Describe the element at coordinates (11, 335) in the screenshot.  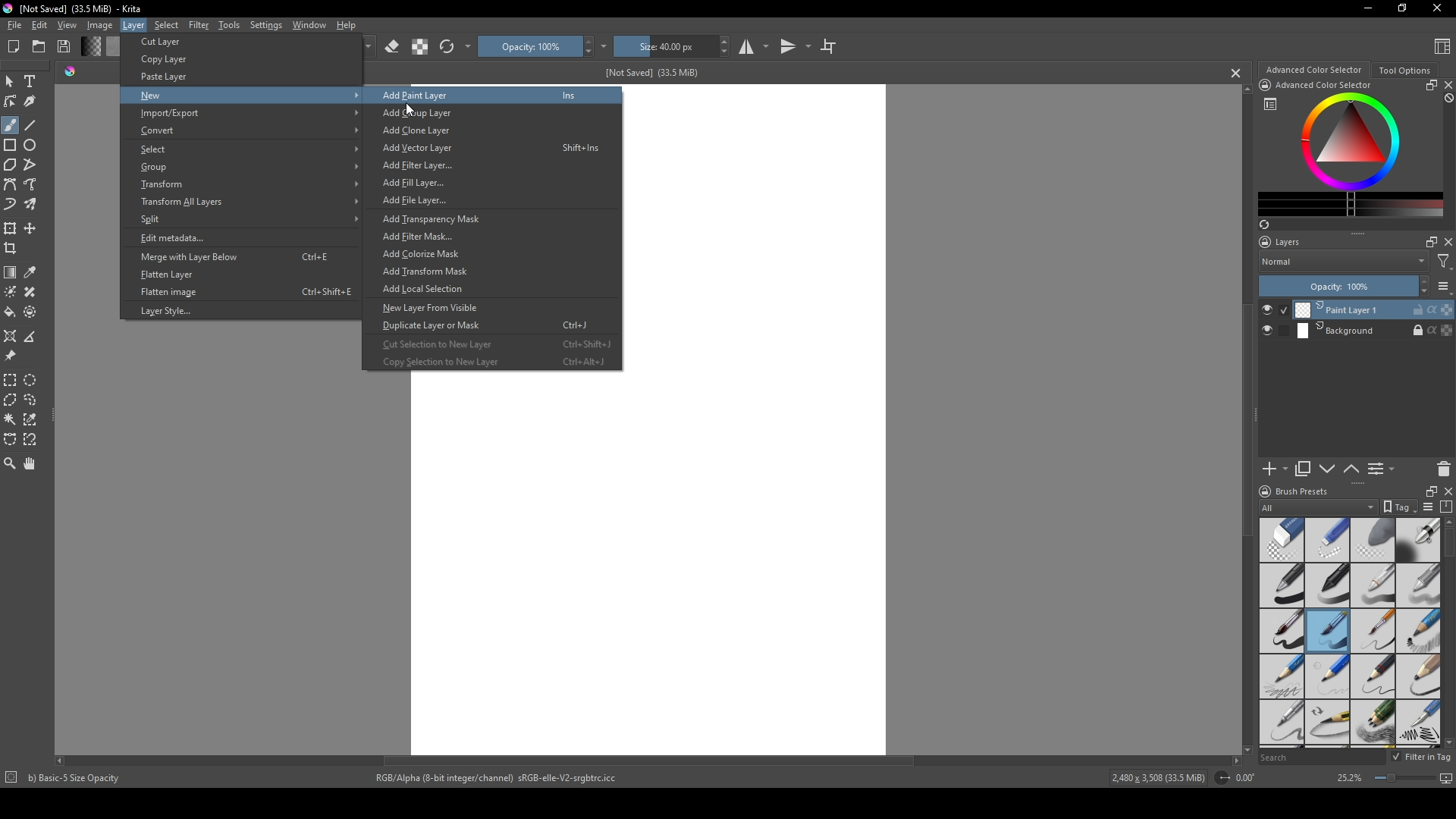
I see `assistant` at that location.